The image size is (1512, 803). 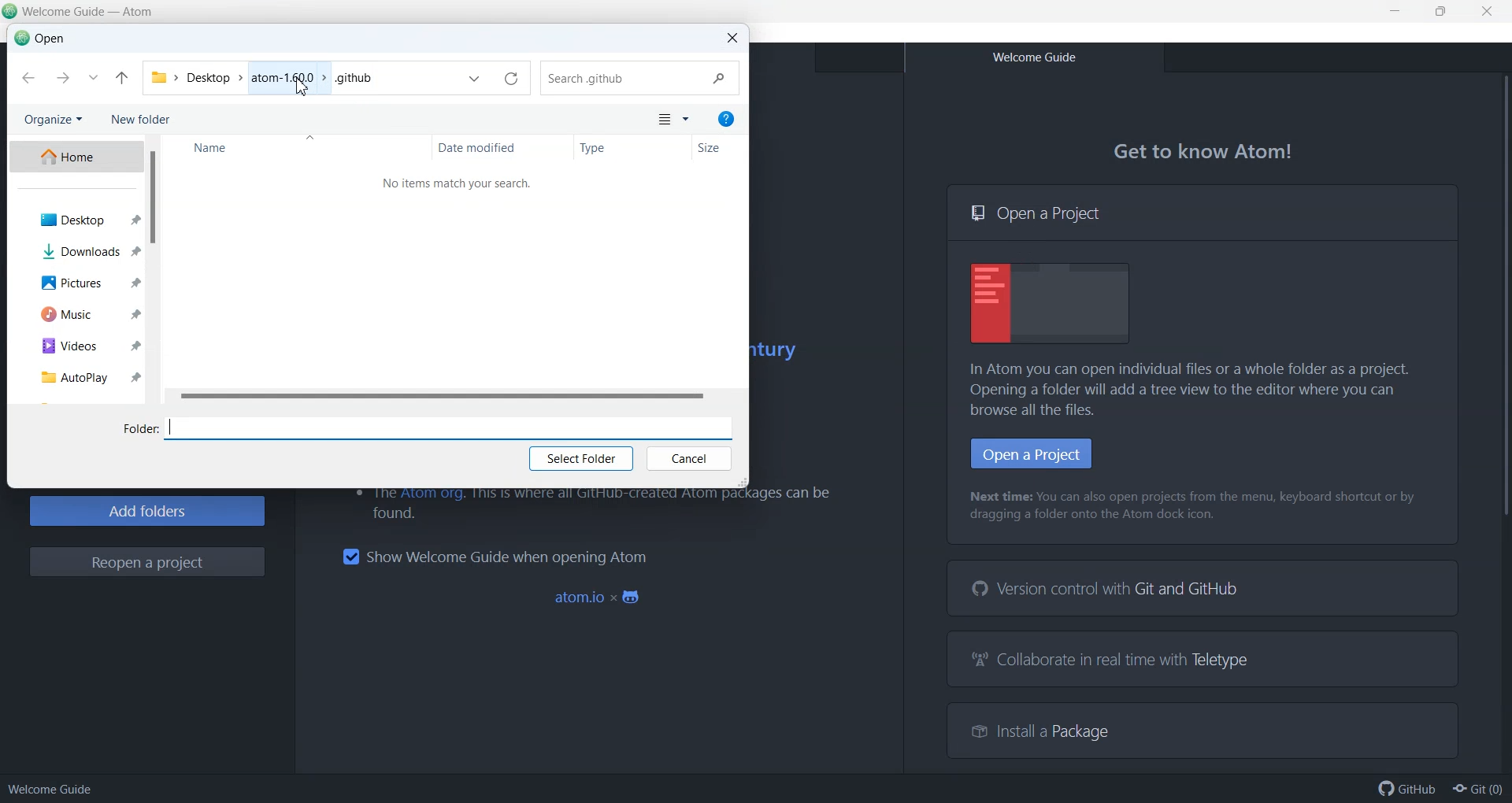 What do you see at coordinates (687, 120) in the screenshot?
I see `More Options` at bounding box center [687, 120].